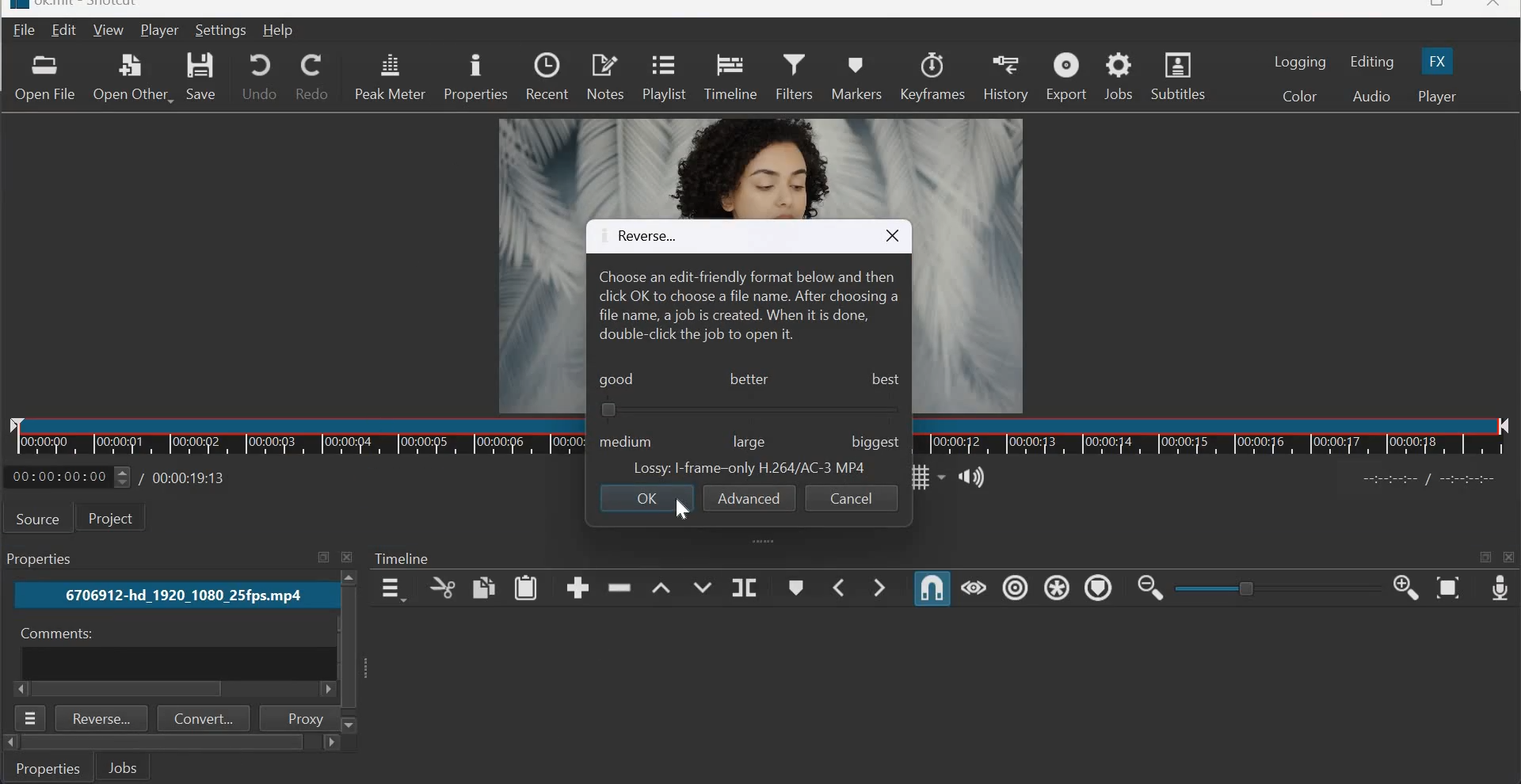 This screenshot has width=1521, height=784. Describe the element at coordinates (323, 558) in the screenshot. I see `Maximize` at that location.